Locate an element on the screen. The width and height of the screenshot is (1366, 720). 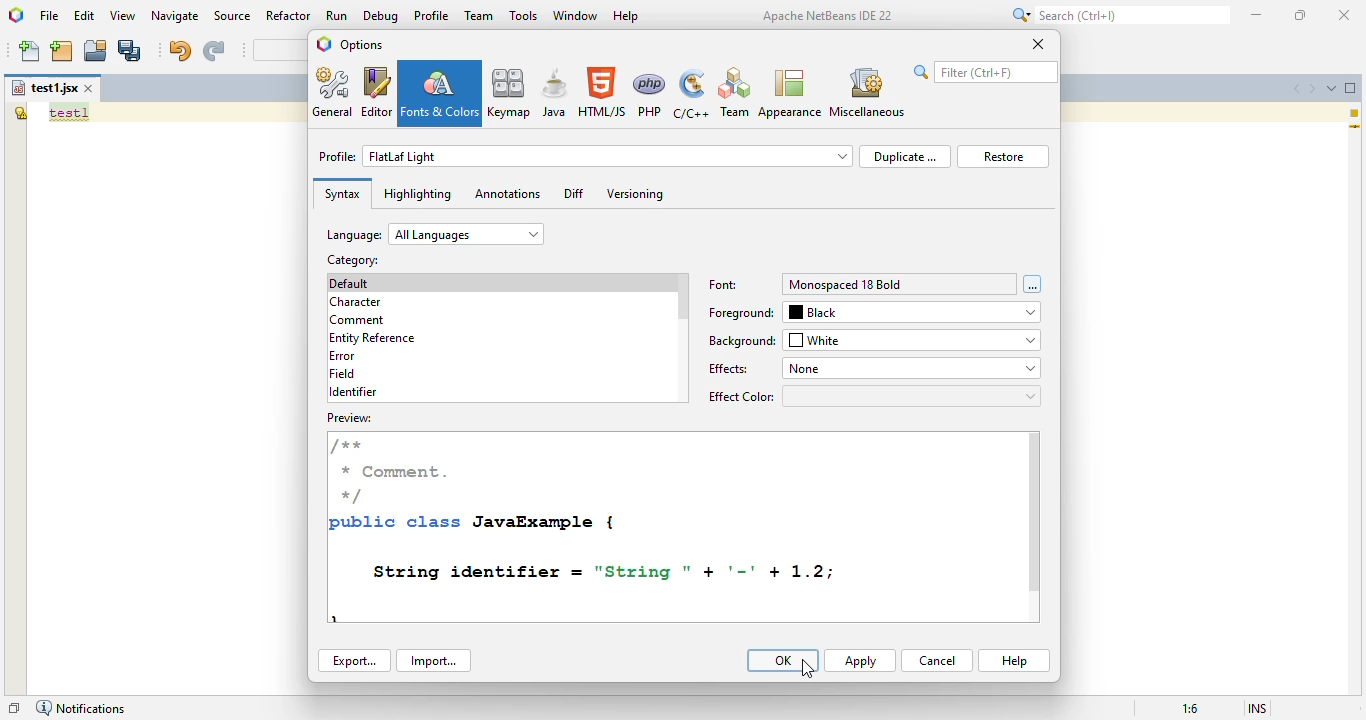
open project is located at coordinates (96, 51).